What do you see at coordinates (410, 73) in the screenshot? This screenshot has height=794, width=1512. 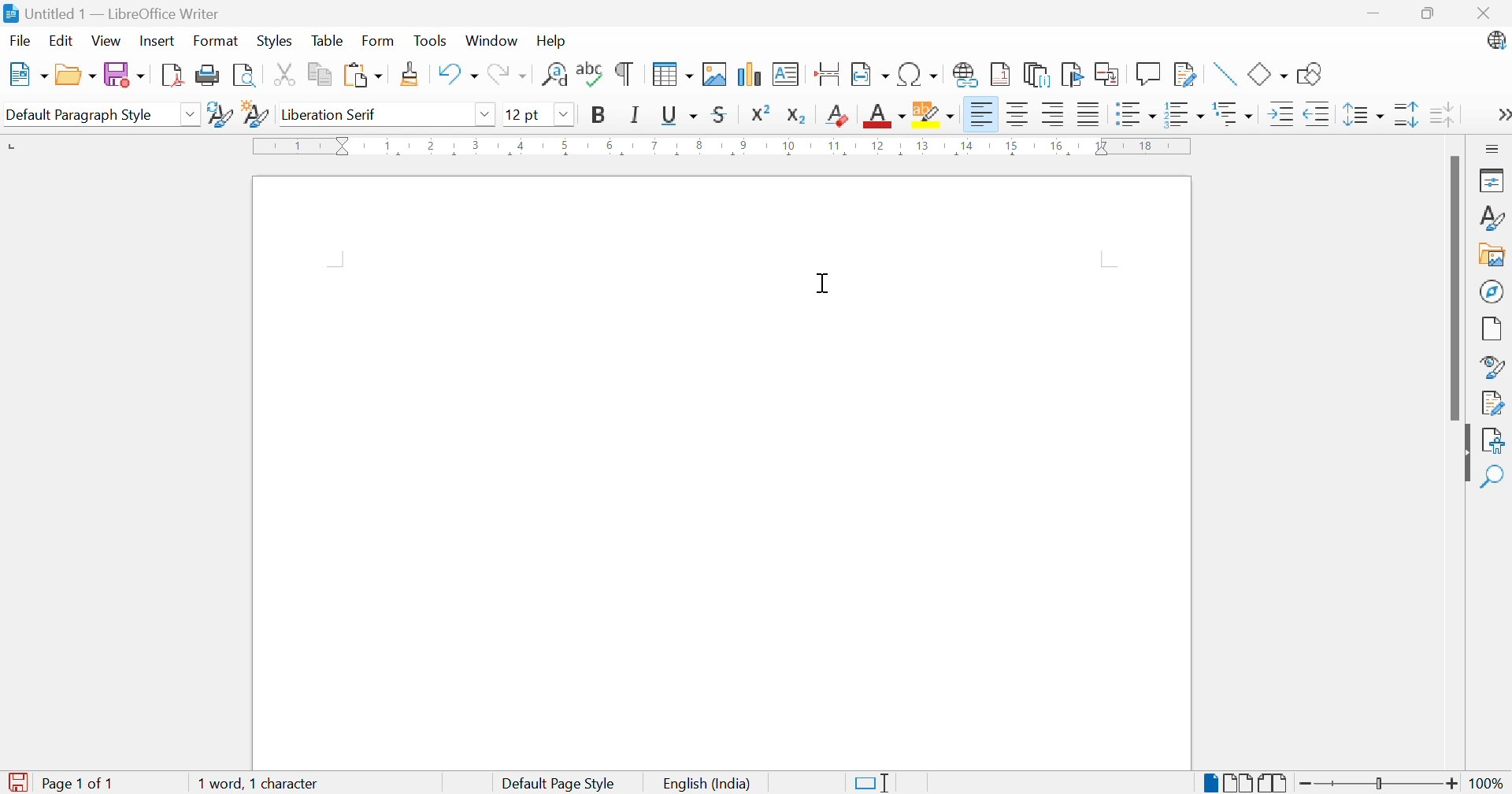 I see `Clone Formatting` at bounding box center [410, 73].